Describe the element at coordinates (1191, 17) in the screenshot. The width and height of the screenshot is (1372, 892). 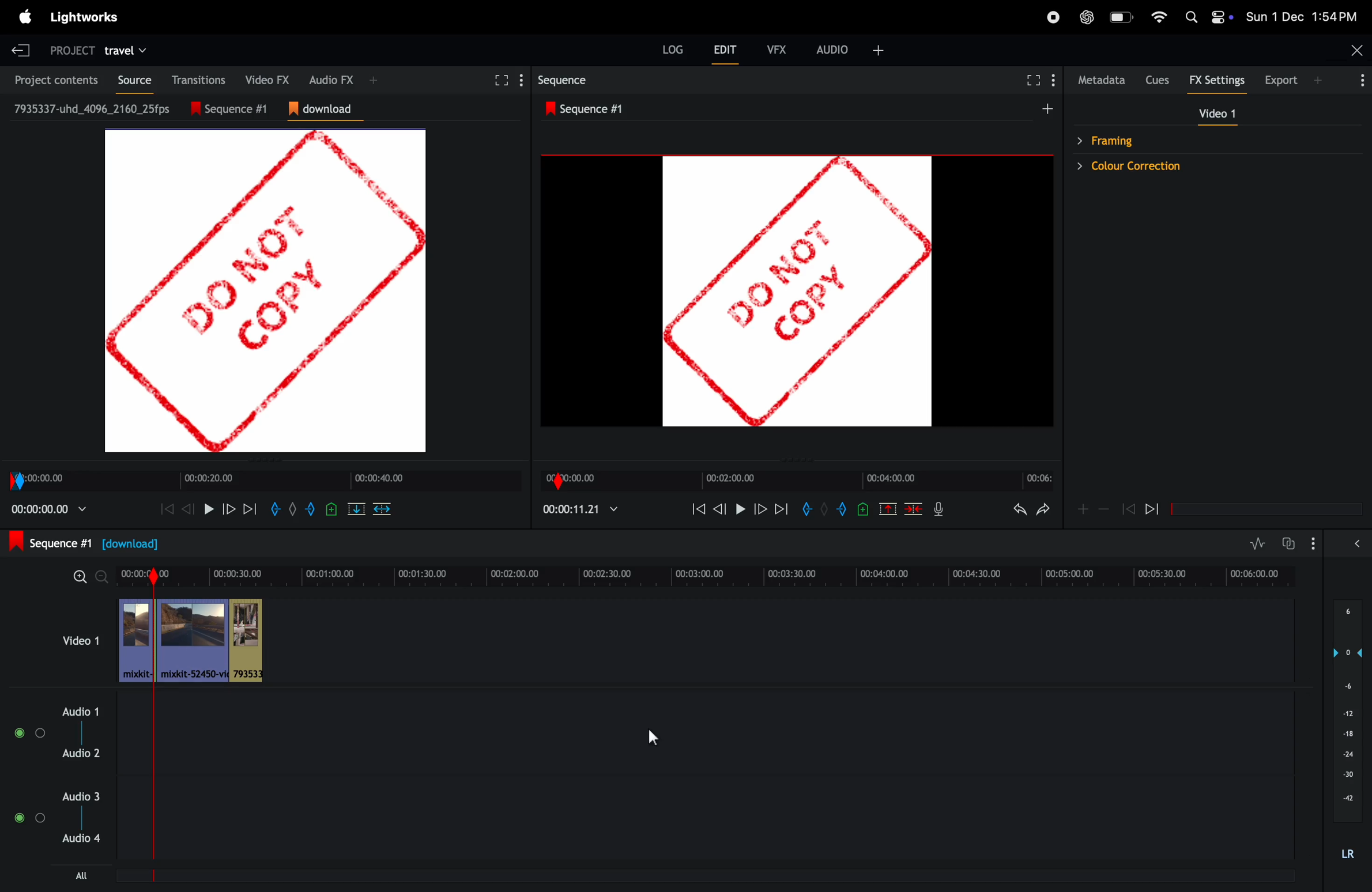
I see `Search` at that location.